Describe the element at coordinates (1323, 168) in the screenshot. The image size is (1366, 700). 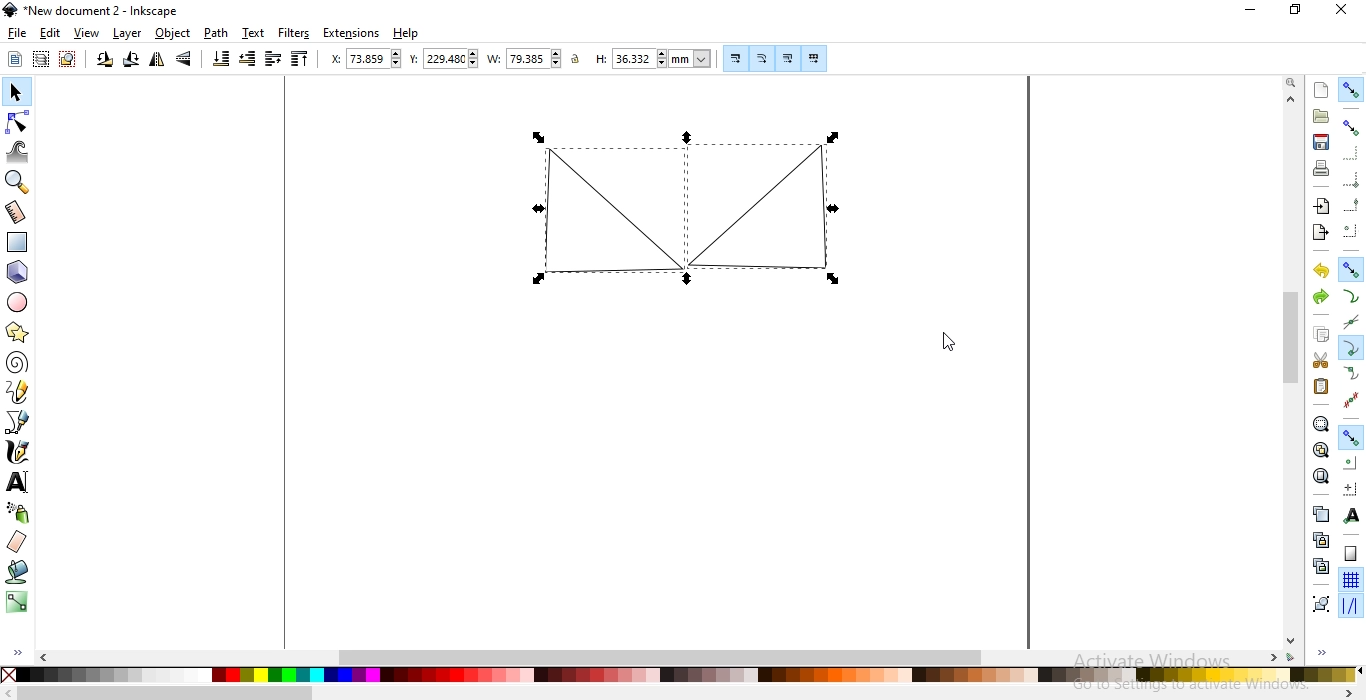
I see `print document` at that location.